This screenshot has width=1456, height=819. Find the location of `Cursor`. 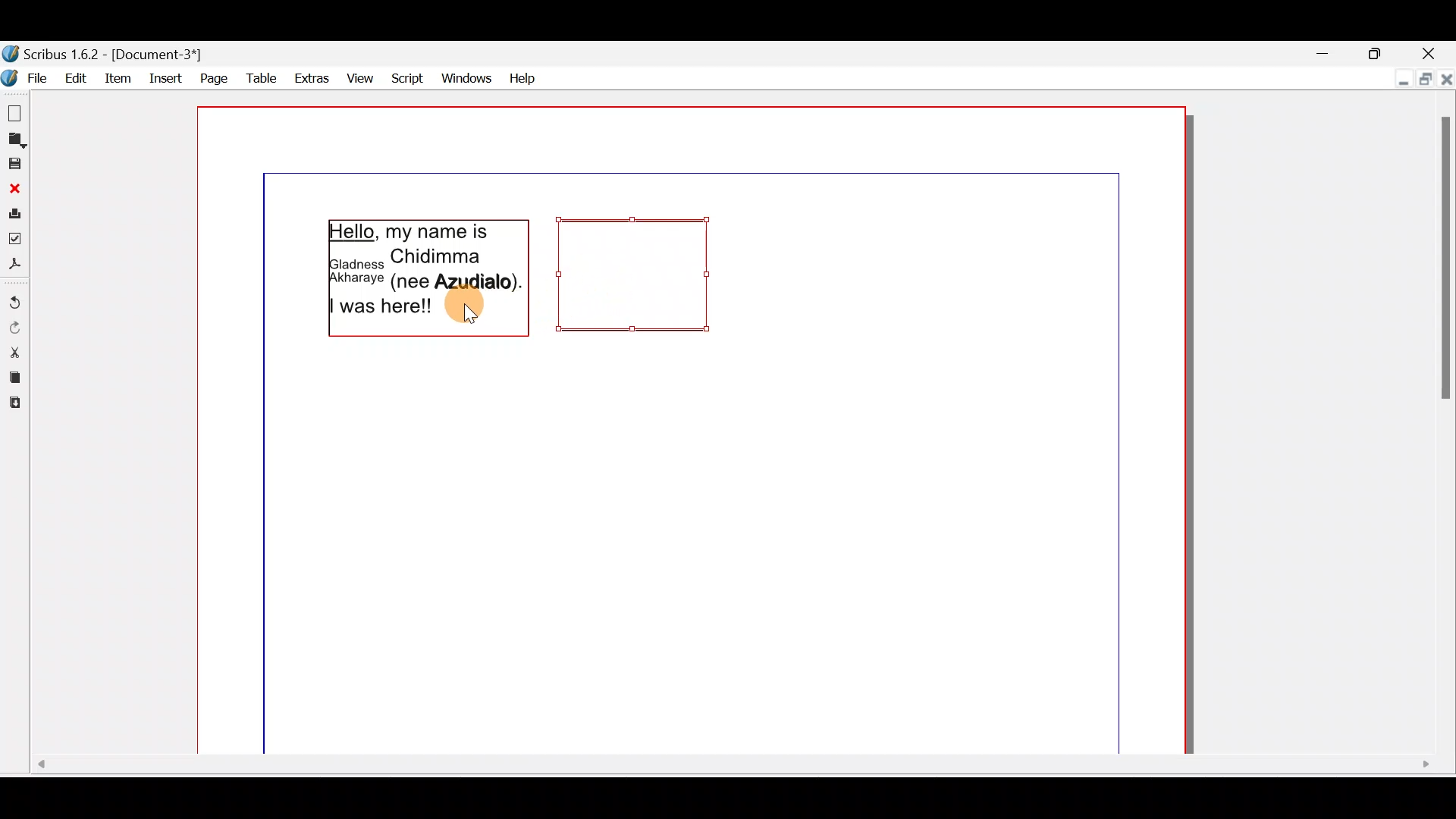

Cursor is located at coordinates (472, 307).